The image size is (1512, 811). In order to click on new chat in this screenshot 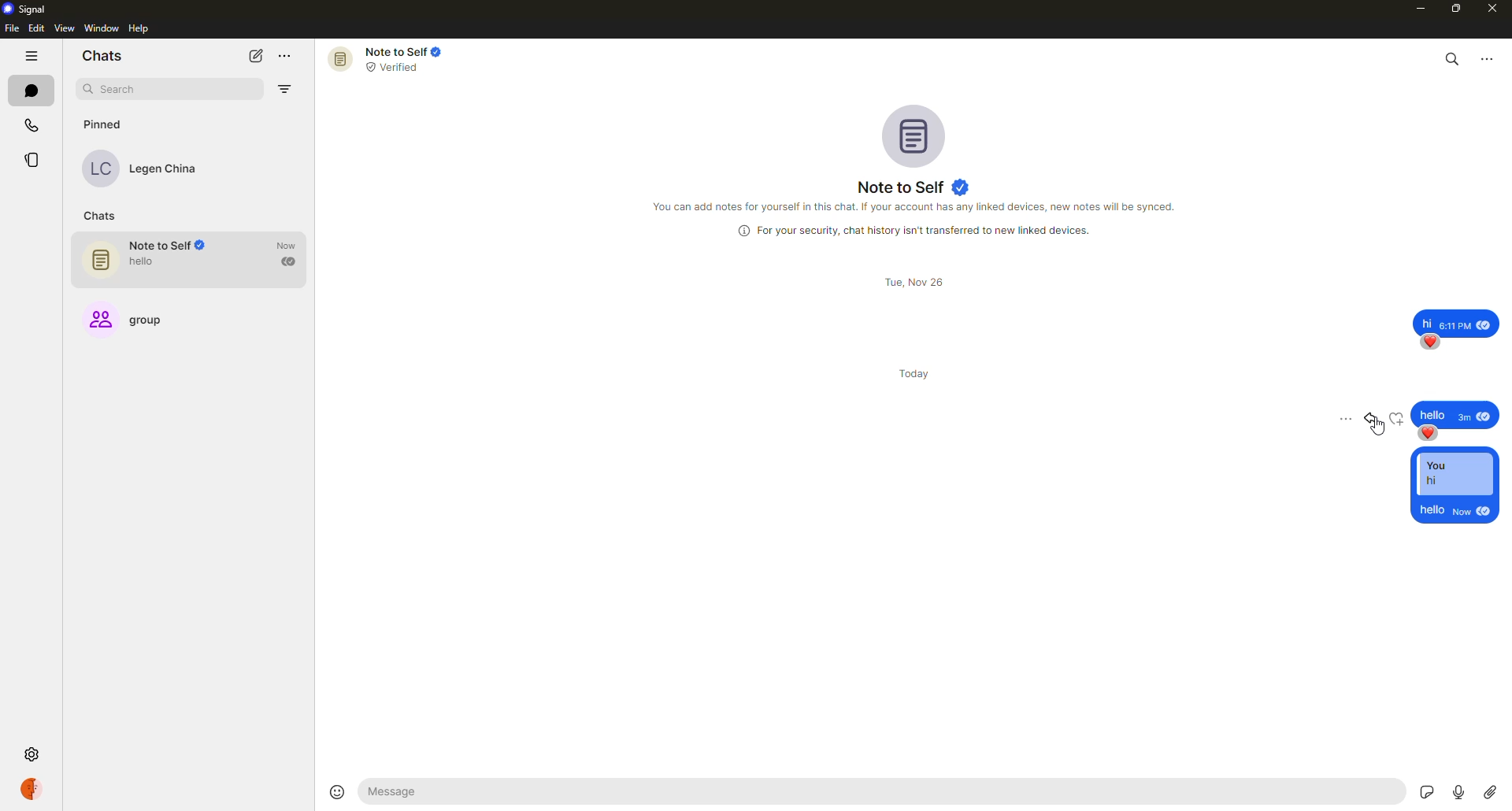, I will do `click(256, 55)`.